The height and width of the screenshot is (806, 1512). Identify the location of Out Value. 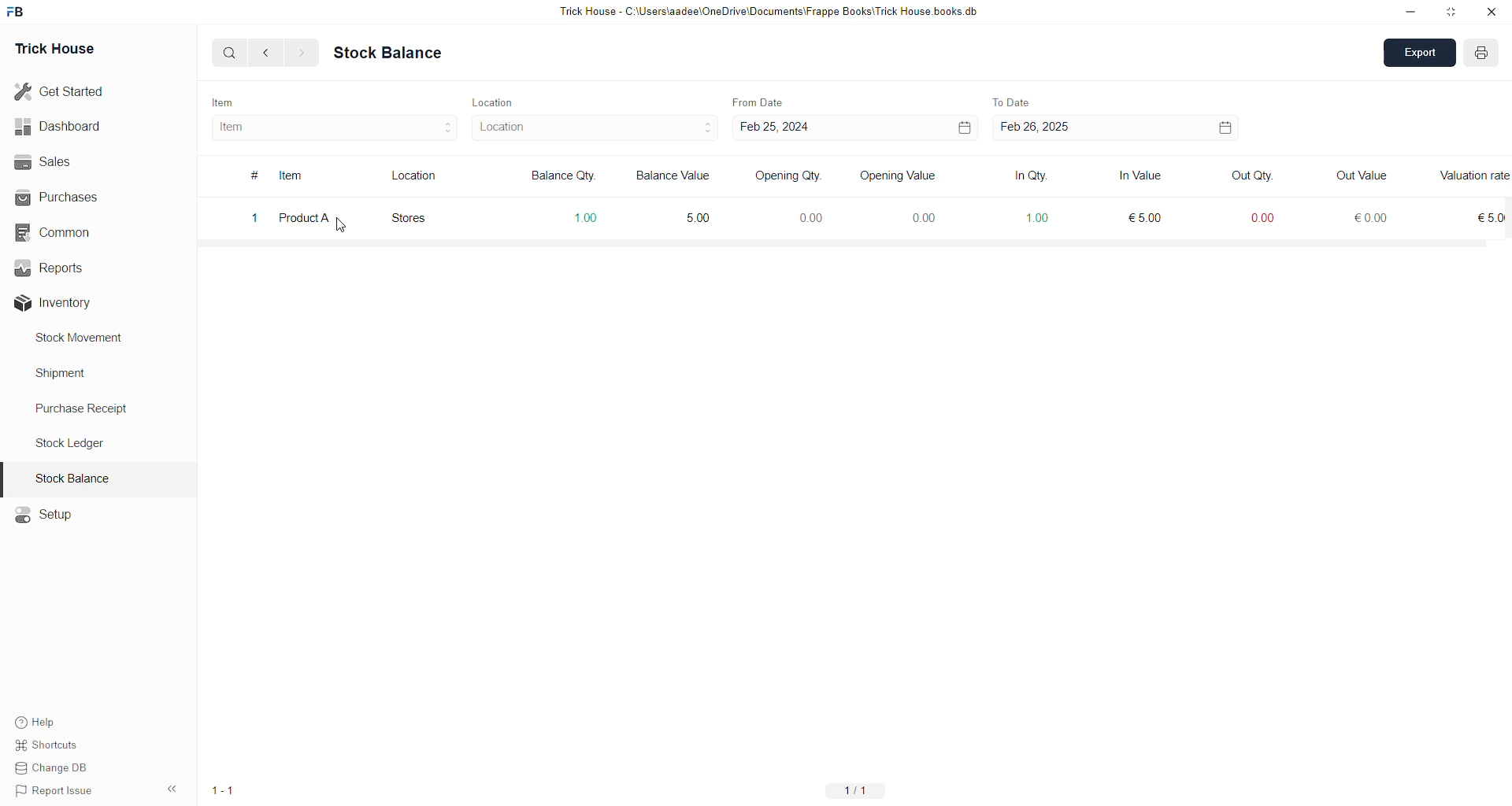
(1354, 176).